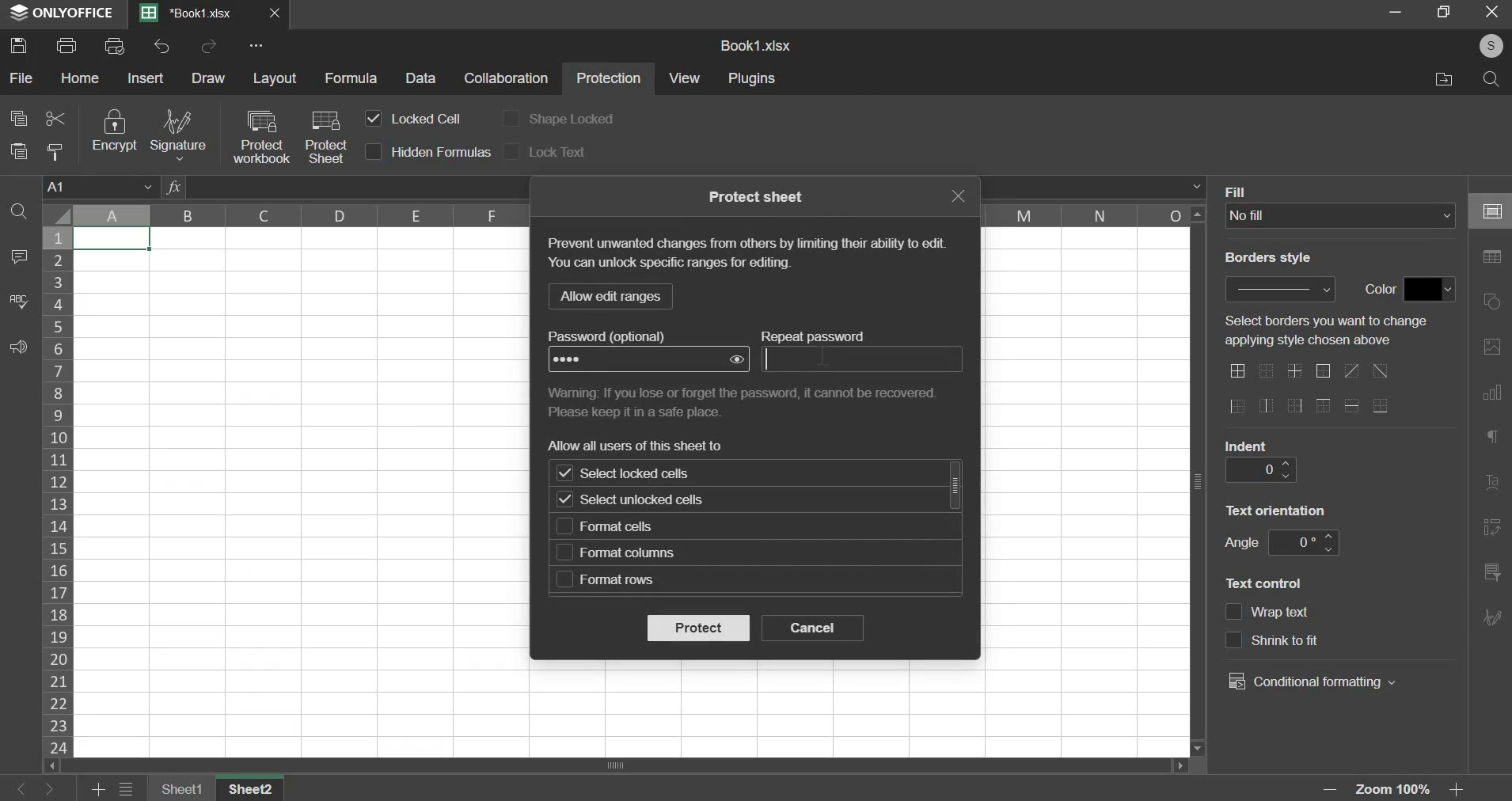 This screenshot has height=801, width=1512. I want to click on scrollbar, so click(623, 765).